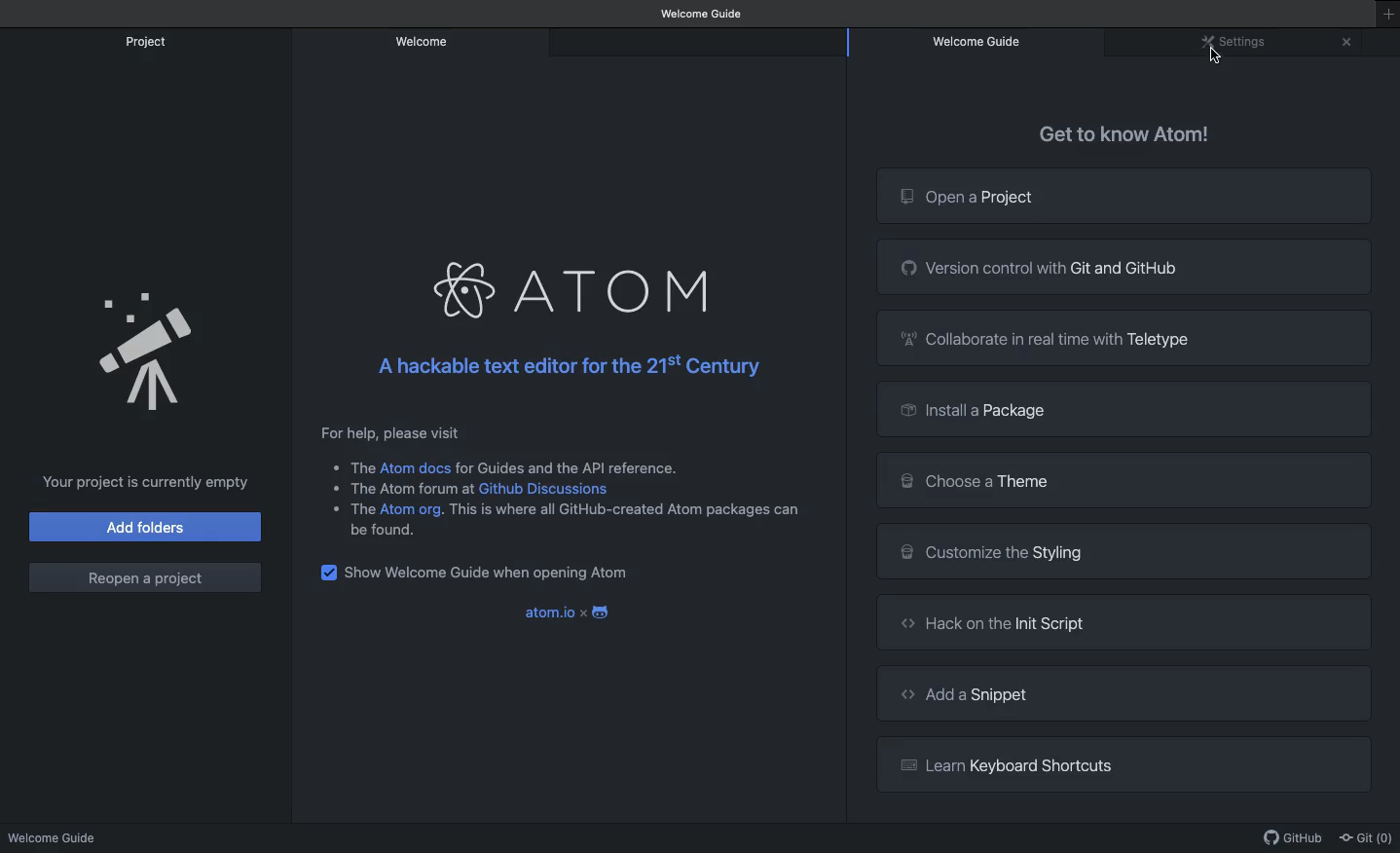 The width and height of the screenshot is (1400, 853). Describe the element at coordinates (1124, 554) in the screenshot. I see `Customize with styling` at that location.